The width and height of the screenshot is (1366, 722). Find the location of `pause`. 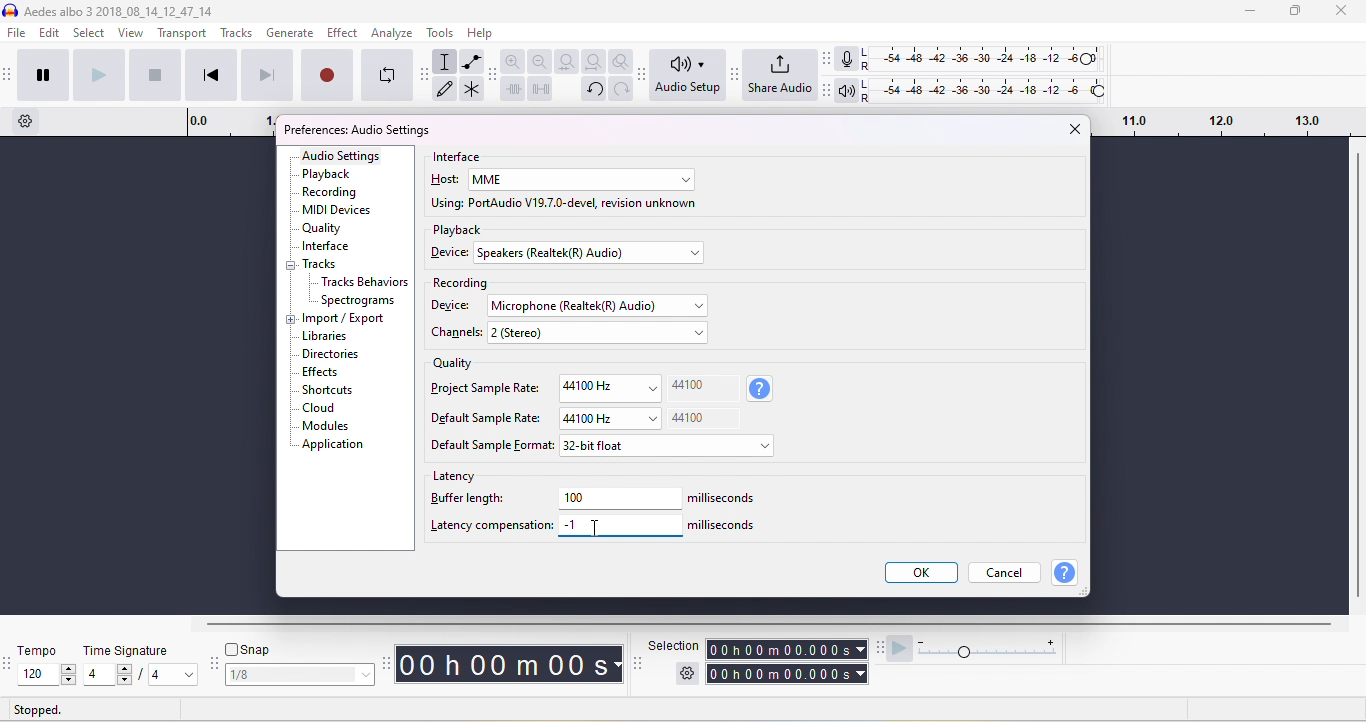

pause is located at coordinates (43, 73).